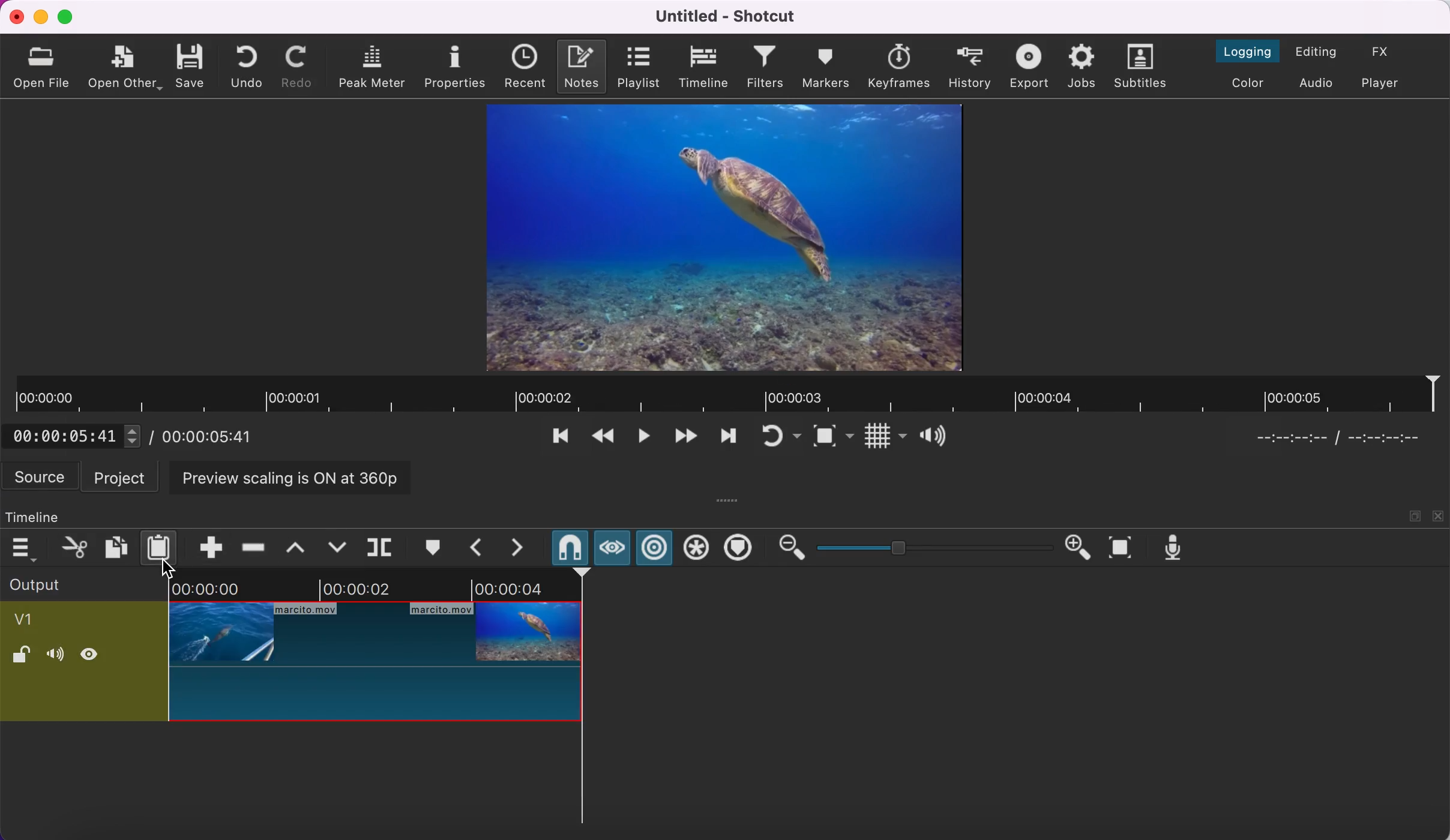  I want to click on , so click(885, 436).